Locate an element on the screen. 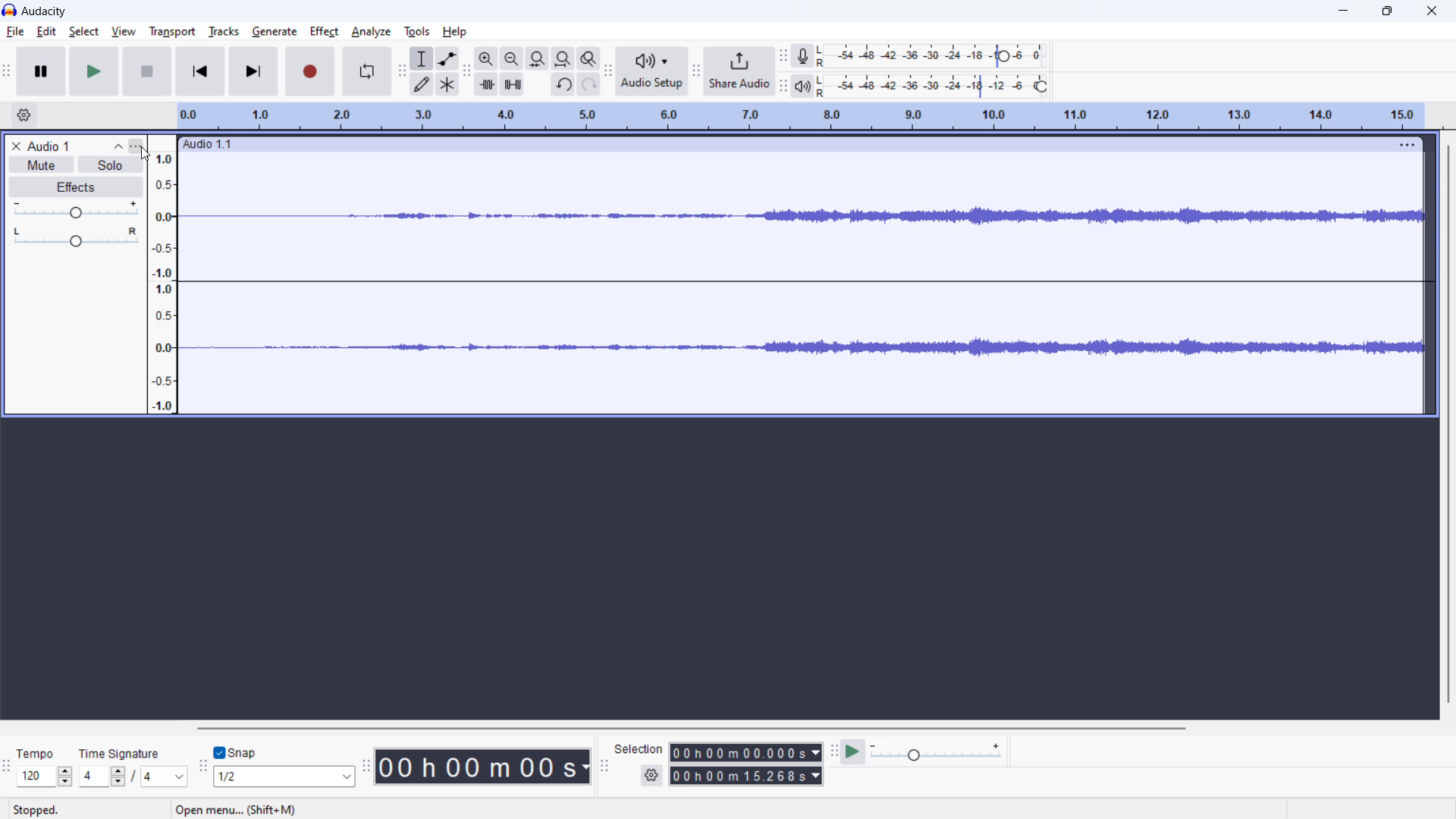 The height and width of the screenshot is (819, 1456). title o project is located at coordinates (49, 146).